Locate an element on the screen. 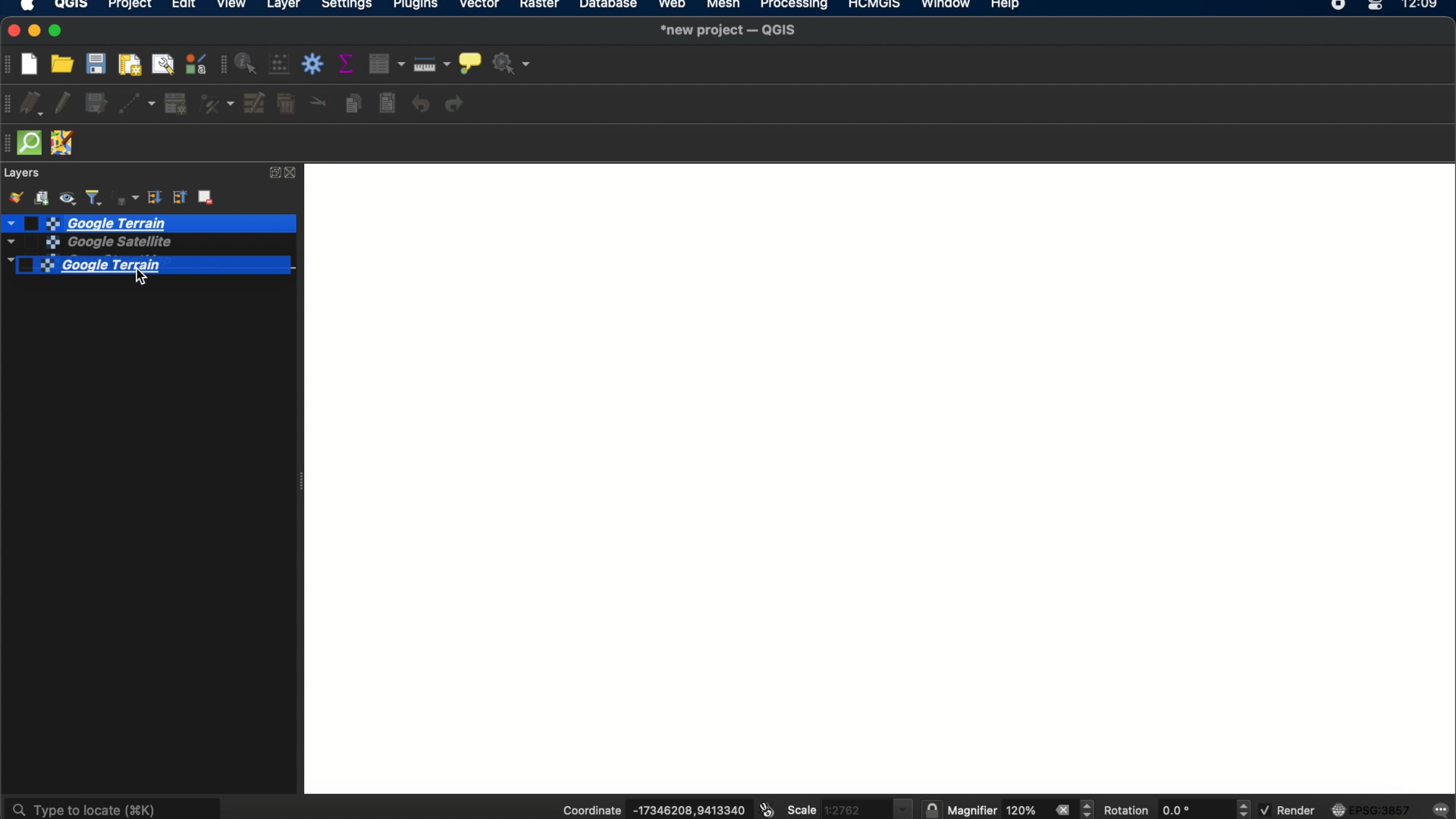 The width and height of the screenshot is (1456, 819). add group is located at coordinates (44, 197).